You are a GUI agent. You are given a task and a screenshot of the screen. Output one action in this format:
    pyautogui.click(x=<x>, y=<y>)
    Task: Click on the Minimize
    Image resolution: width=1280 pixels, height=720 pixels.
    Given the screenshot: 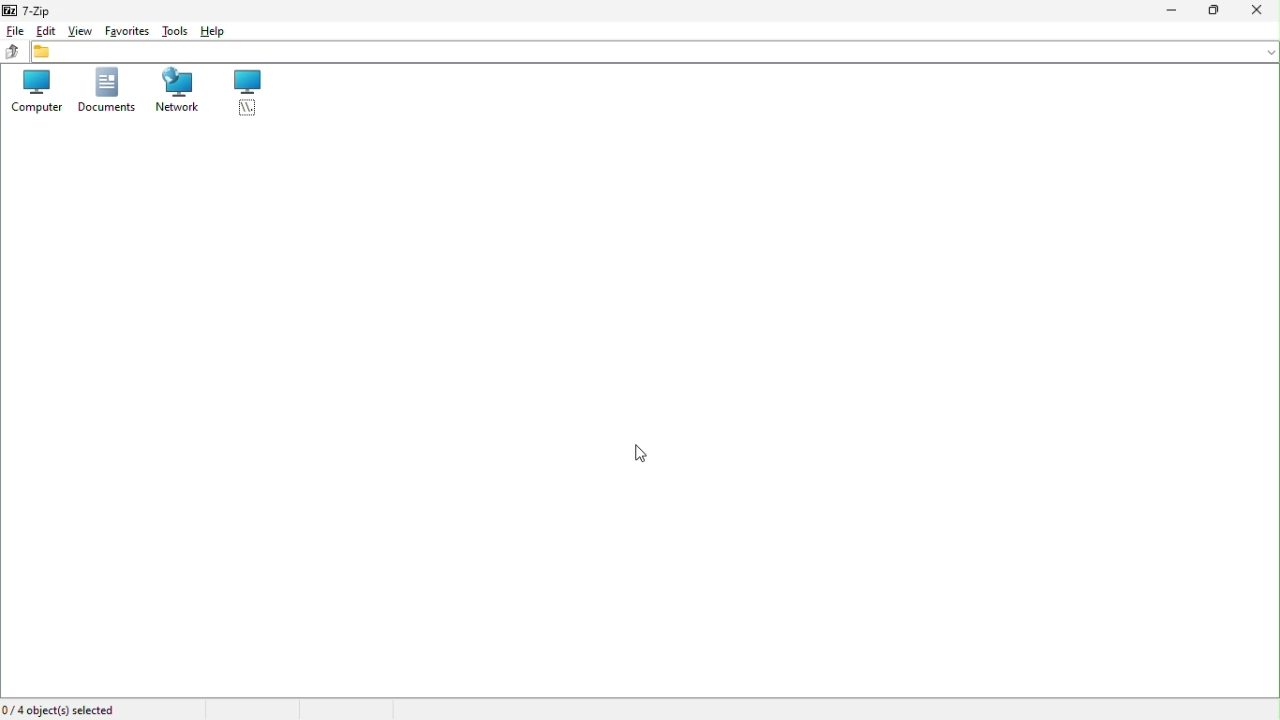 What is the action you would take?
    pyautogui.click(x=1166, y=13)
    